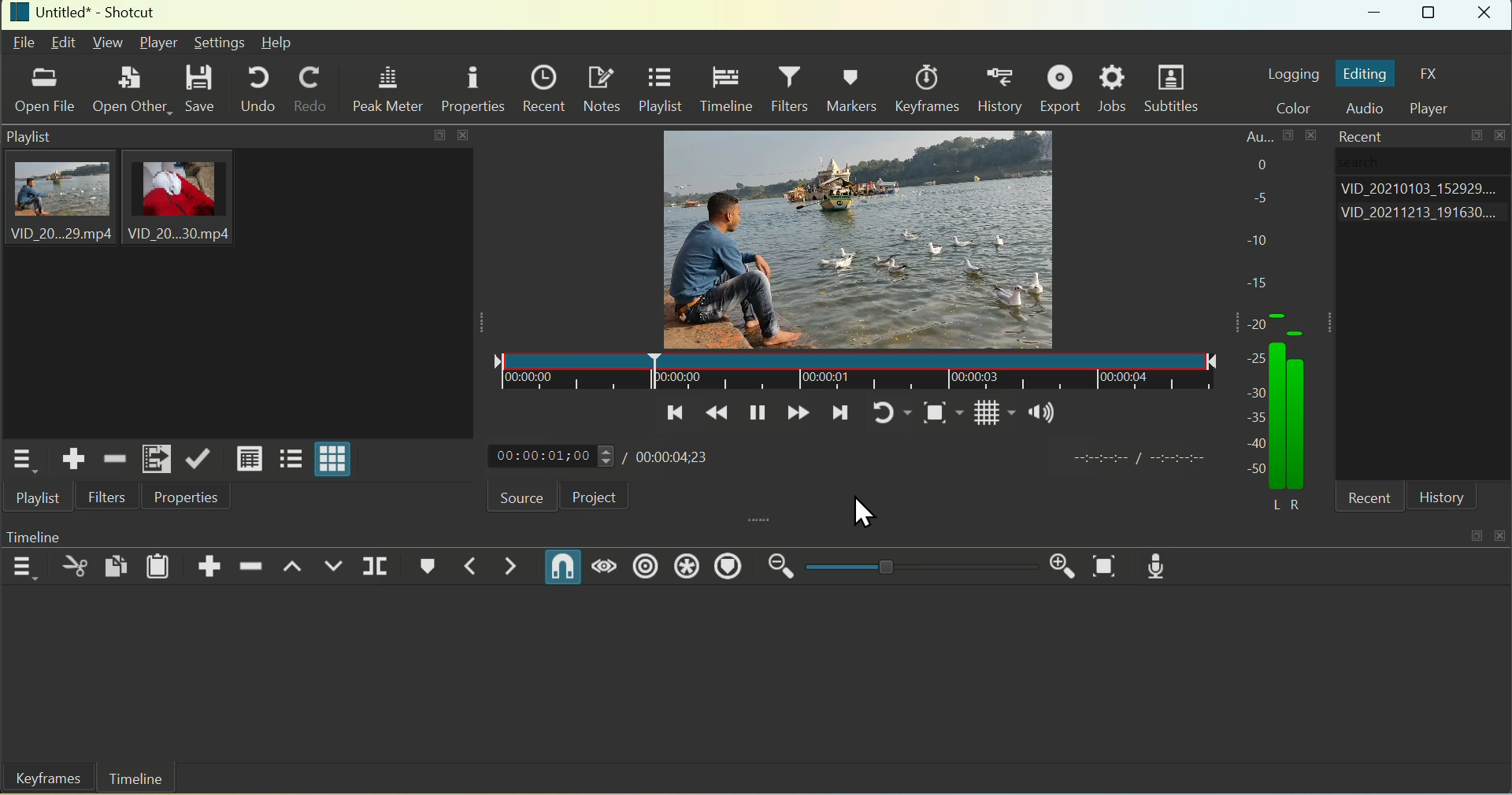 This screenshot has height=795, width=1512. I want to click on Forward, so click(798, 414).